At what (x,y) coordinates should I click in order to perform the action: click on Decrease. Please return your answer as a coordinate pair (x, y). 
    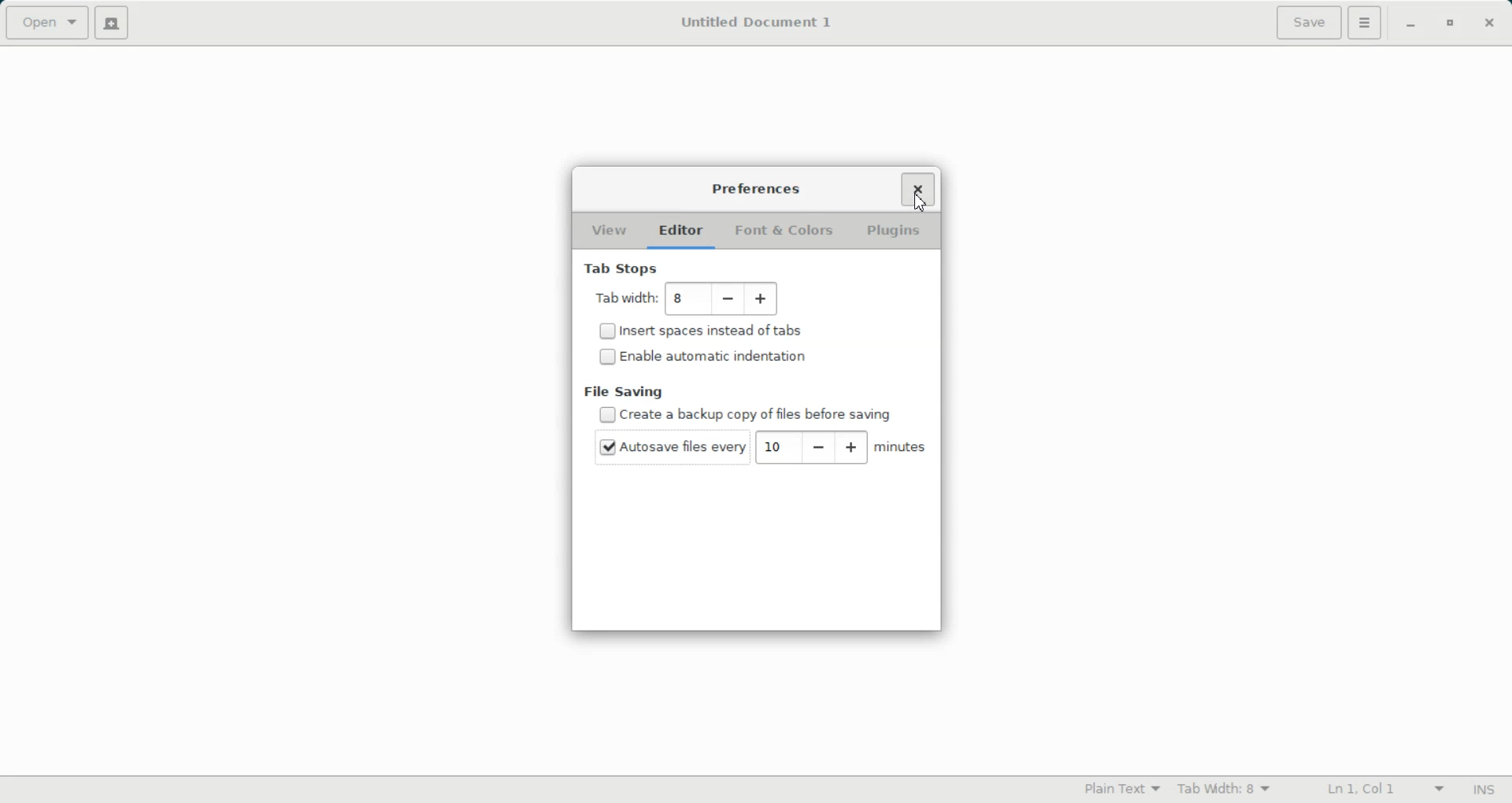
    Looking at the image, I should click on (728, 300).